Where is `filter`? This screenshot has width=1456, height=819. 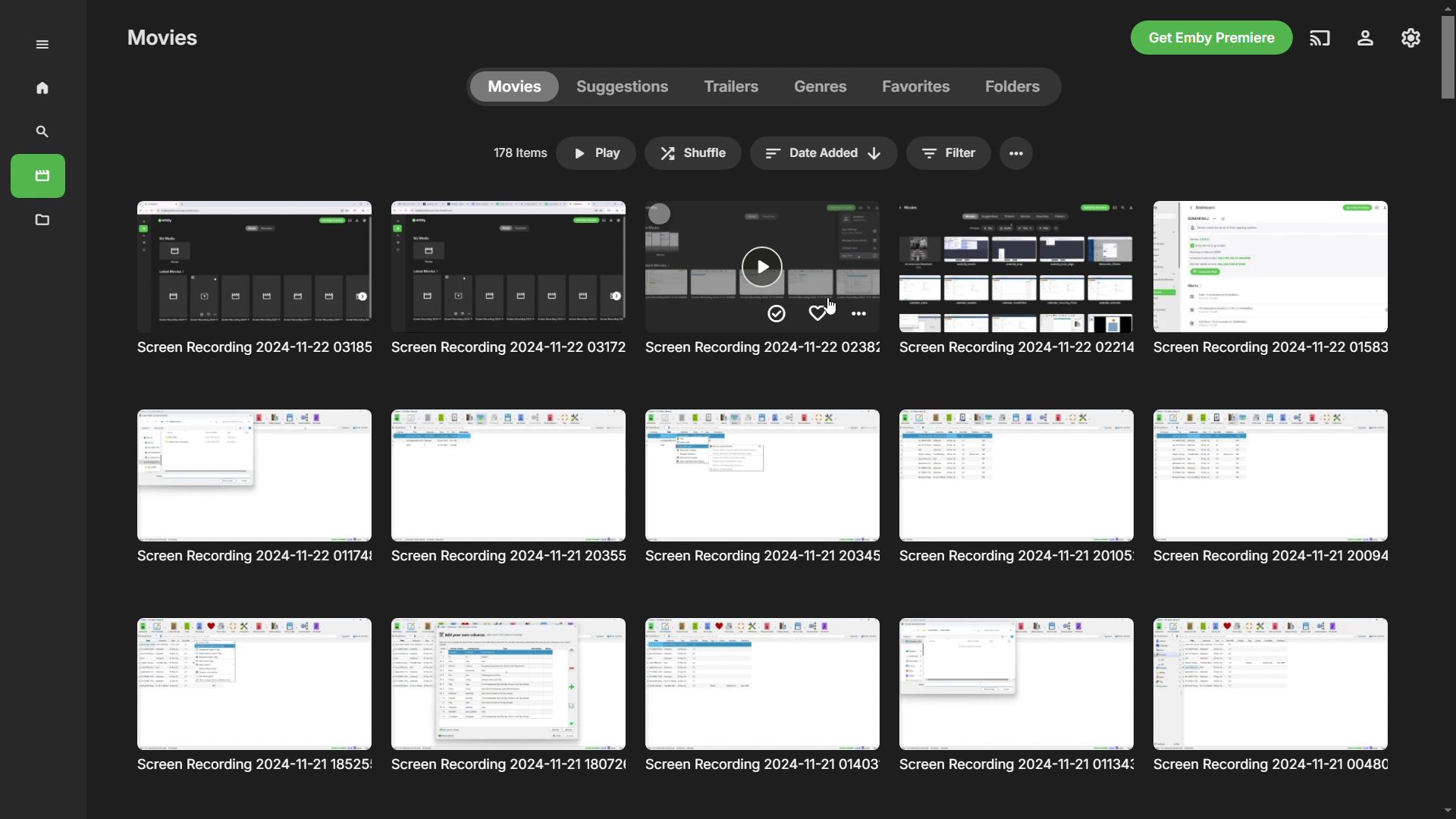
filter is located at coordinates (951, 155).